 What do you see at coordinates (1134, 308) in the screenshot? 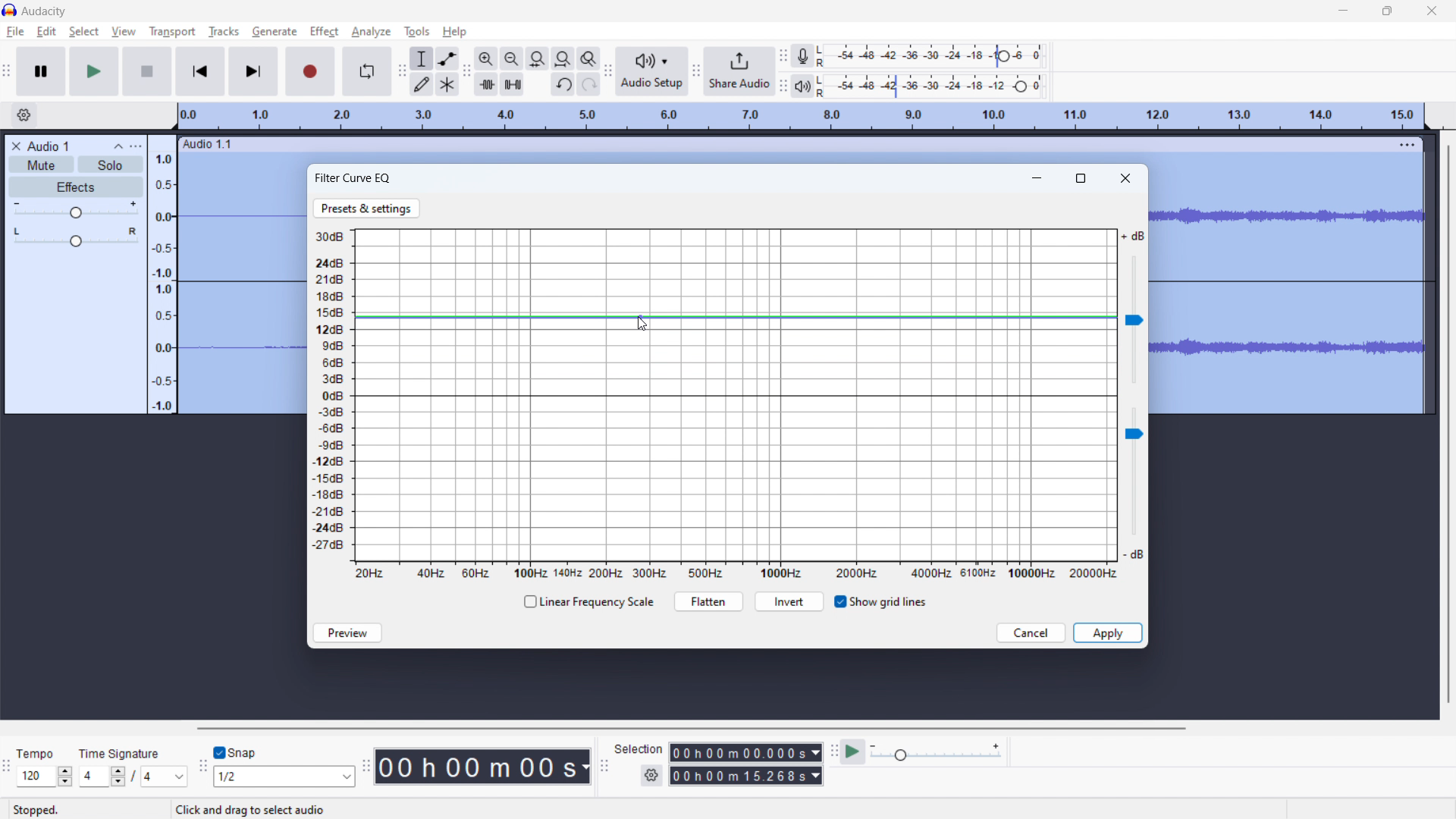
I see `volume slider` at bounding box center [1134, 308].